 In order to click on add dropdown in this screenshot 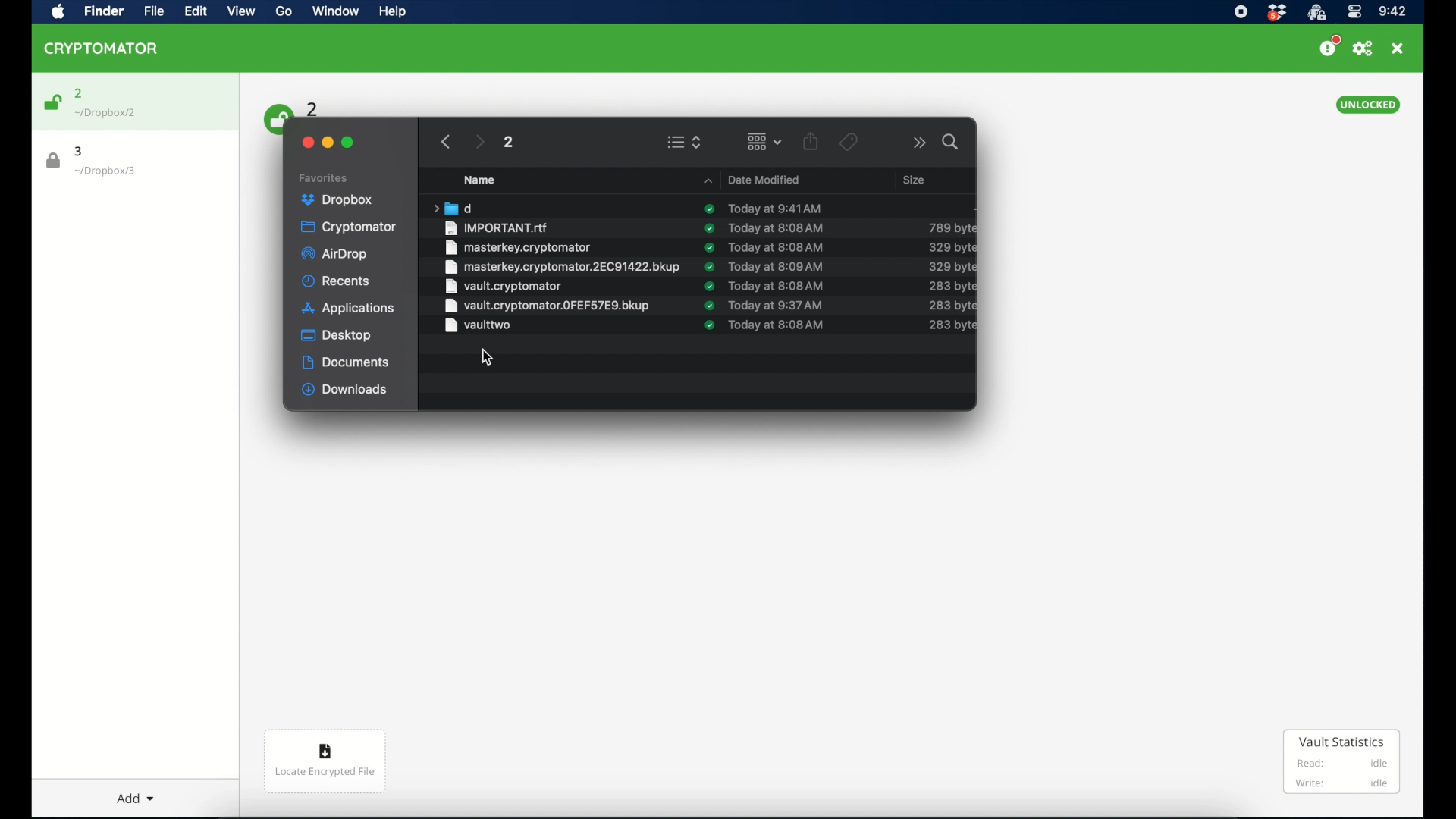, I will do `click(129, 792)`.